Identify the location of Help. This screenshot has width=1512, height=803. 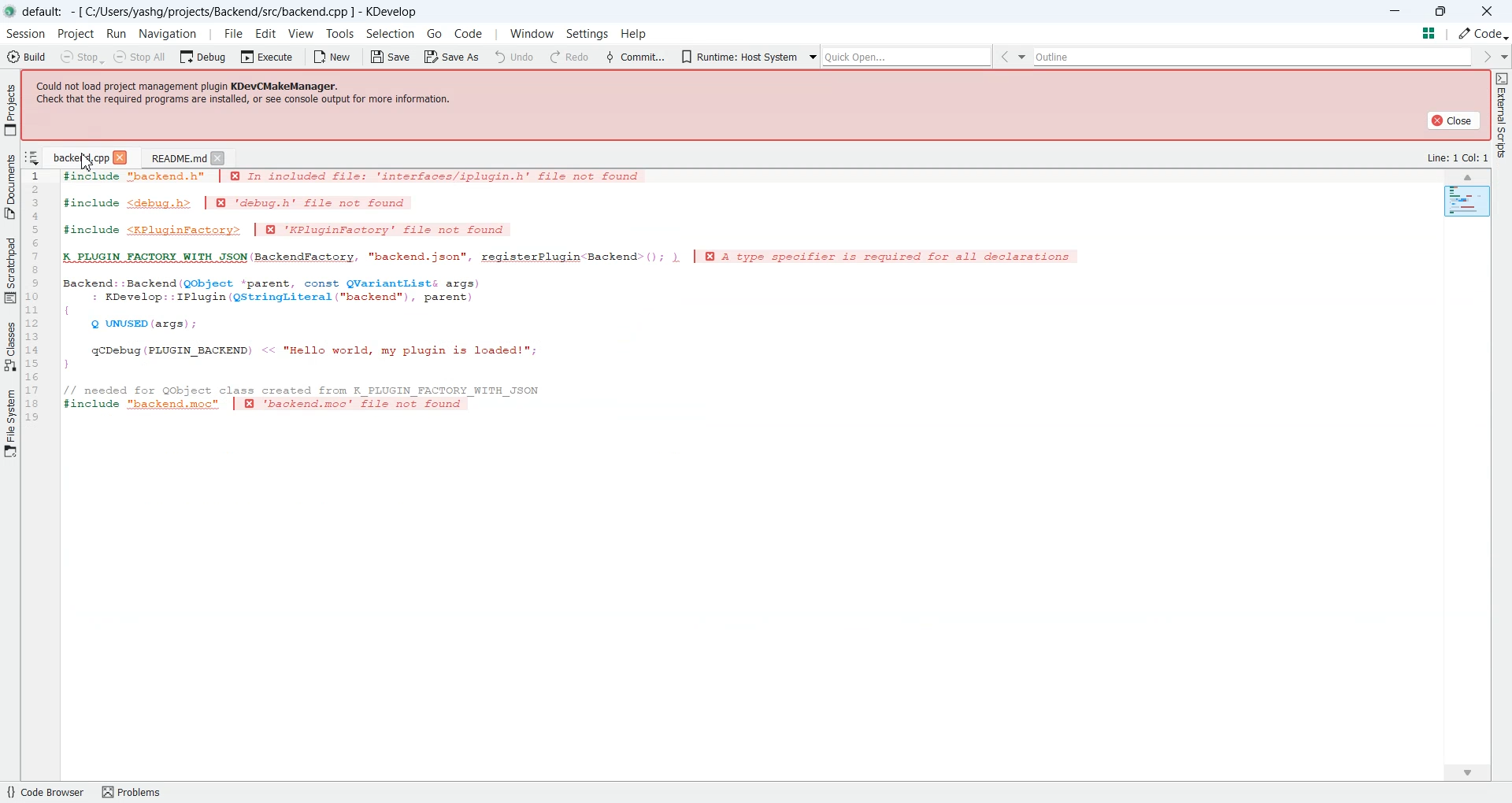
(648, 32).